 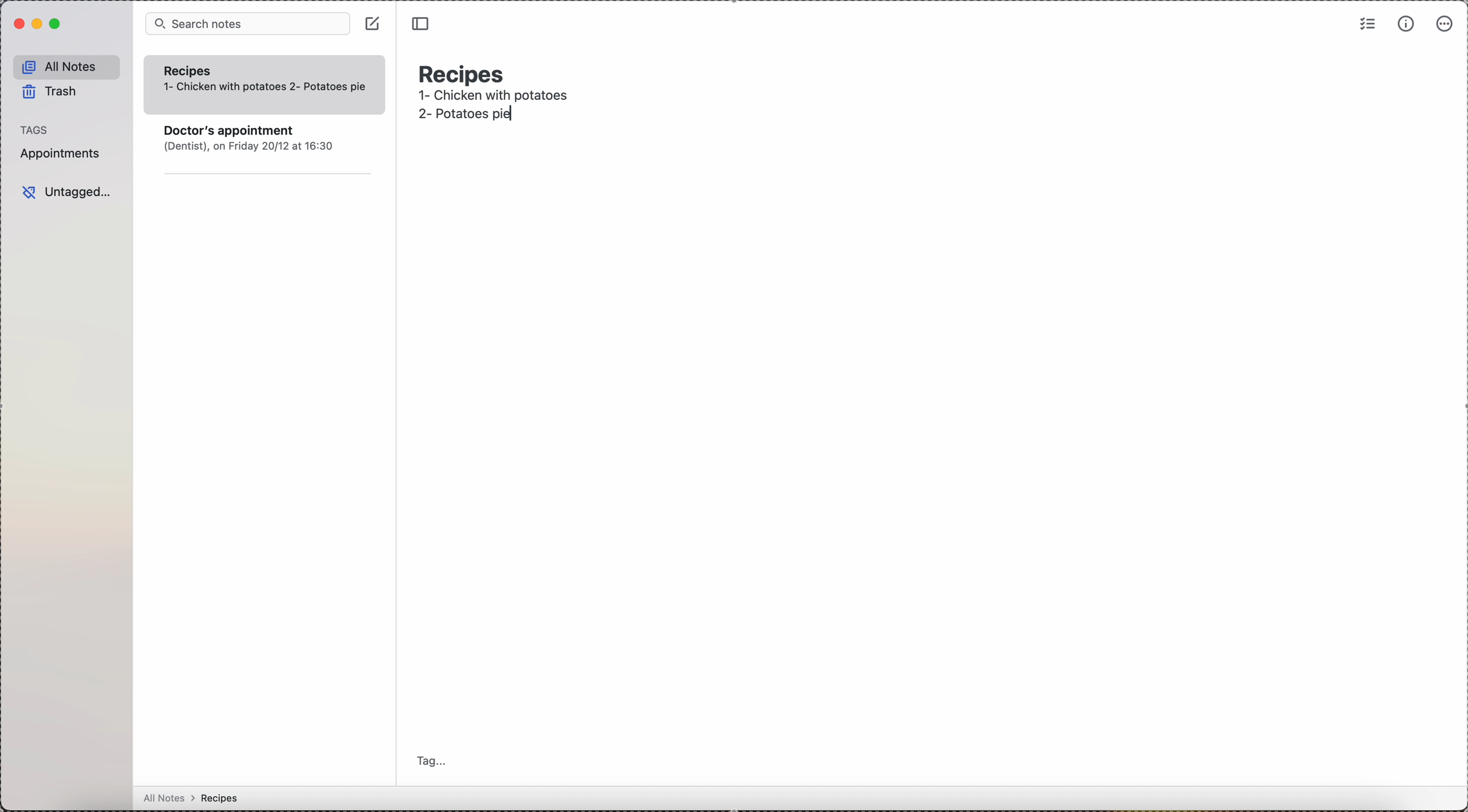 What do you see at coordinates (1406, 24) in the screenshot?
I see `metrics` at bounding box center [1406, 24].